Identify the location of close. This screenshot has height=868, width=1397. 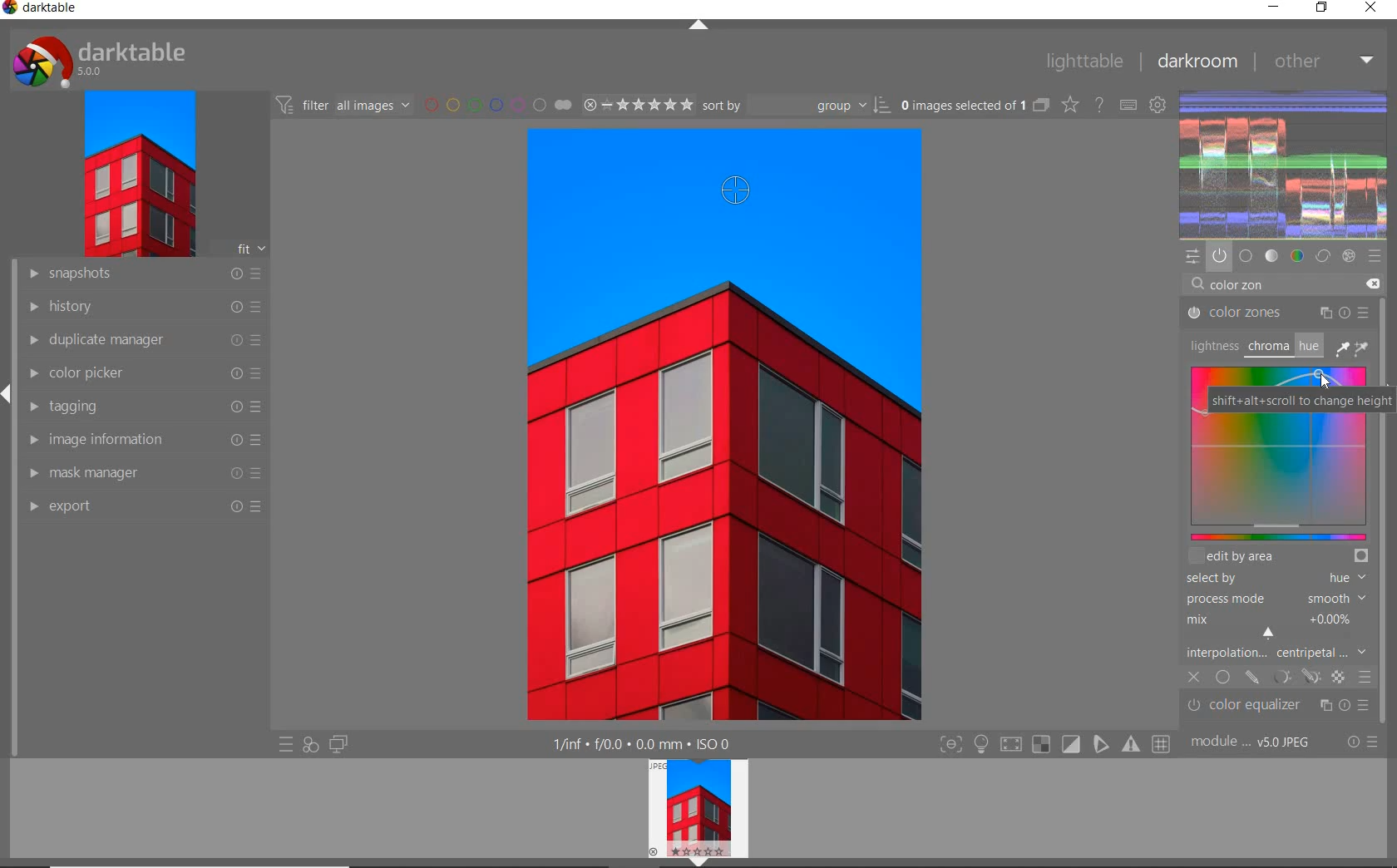
(1371, 8).